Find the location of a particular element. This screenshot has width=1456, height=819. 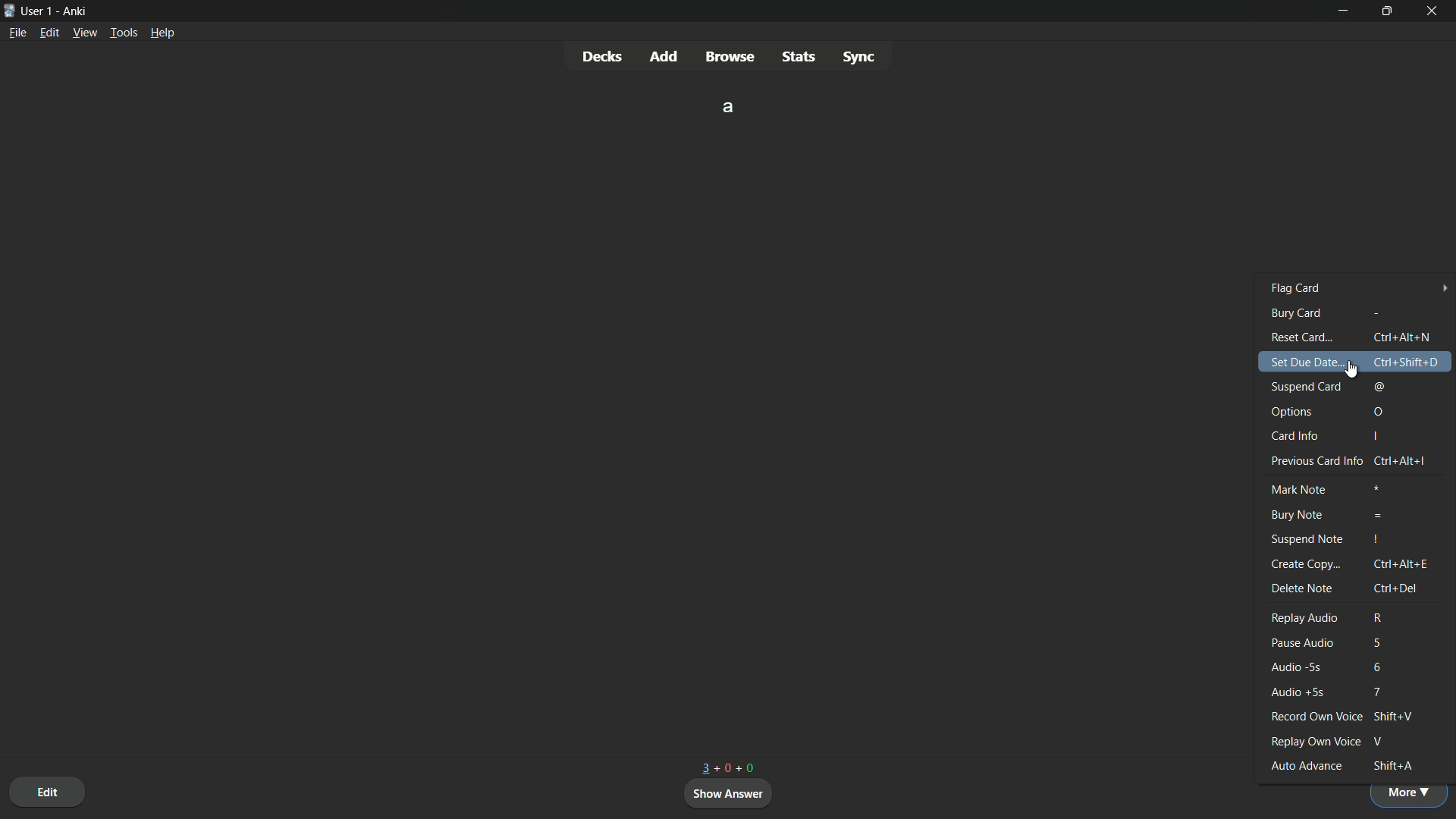

keyboard shortcut is located at coordinates (1378, 618).